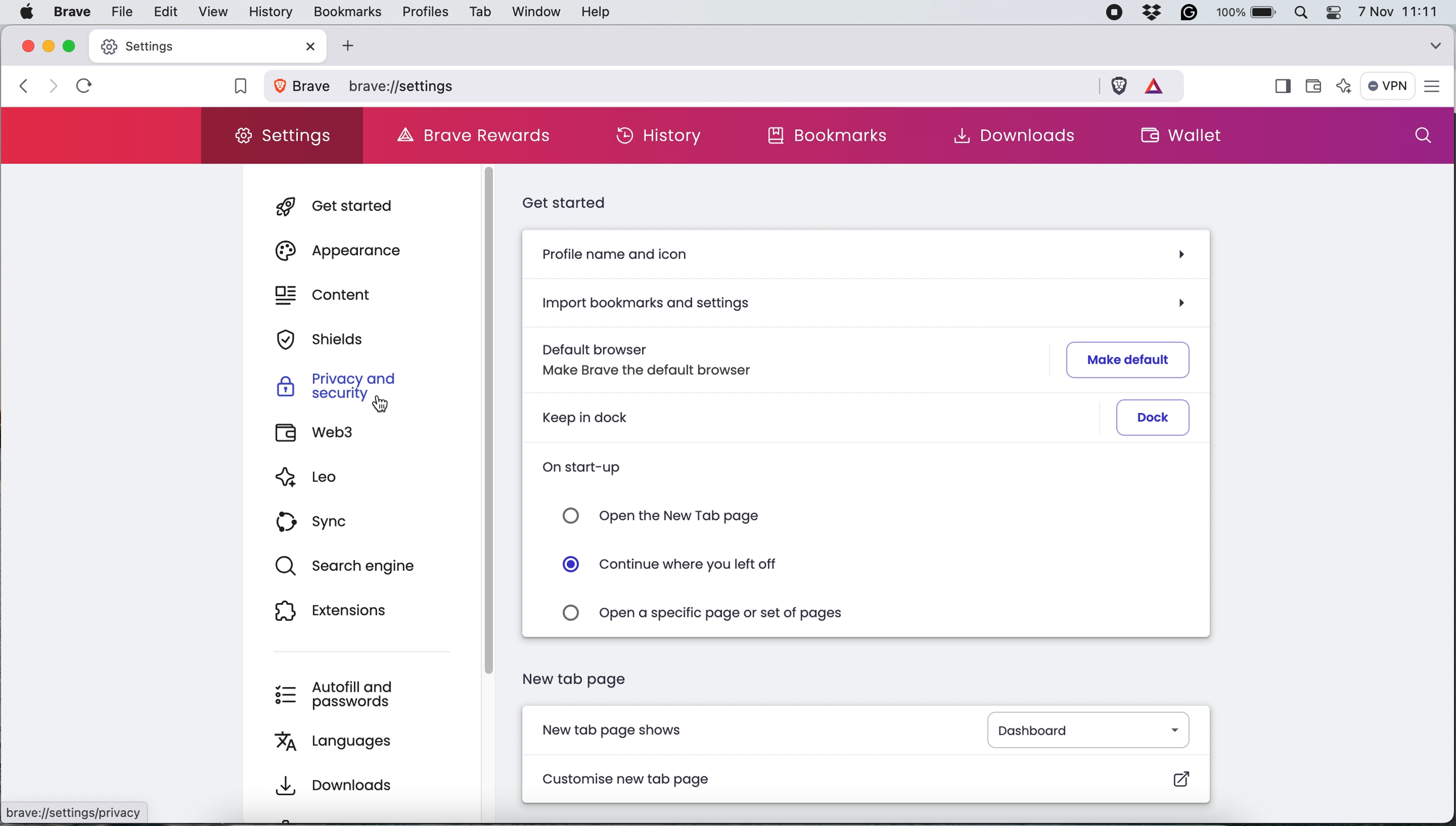  I want to click on new tab page, so click(586, 680).